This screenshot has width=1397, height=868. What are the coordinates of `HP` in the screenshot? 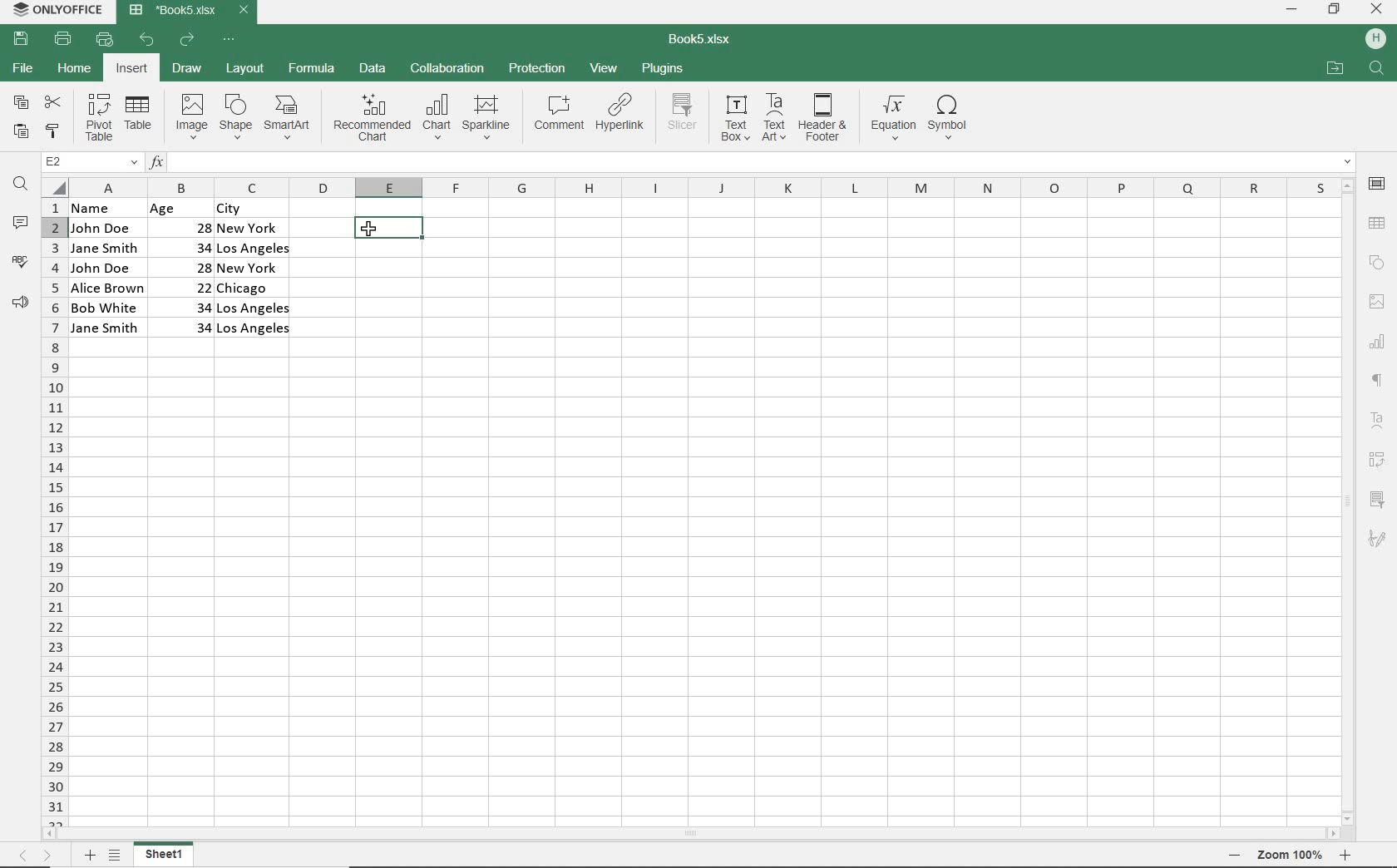 It's located at (1374, 40).